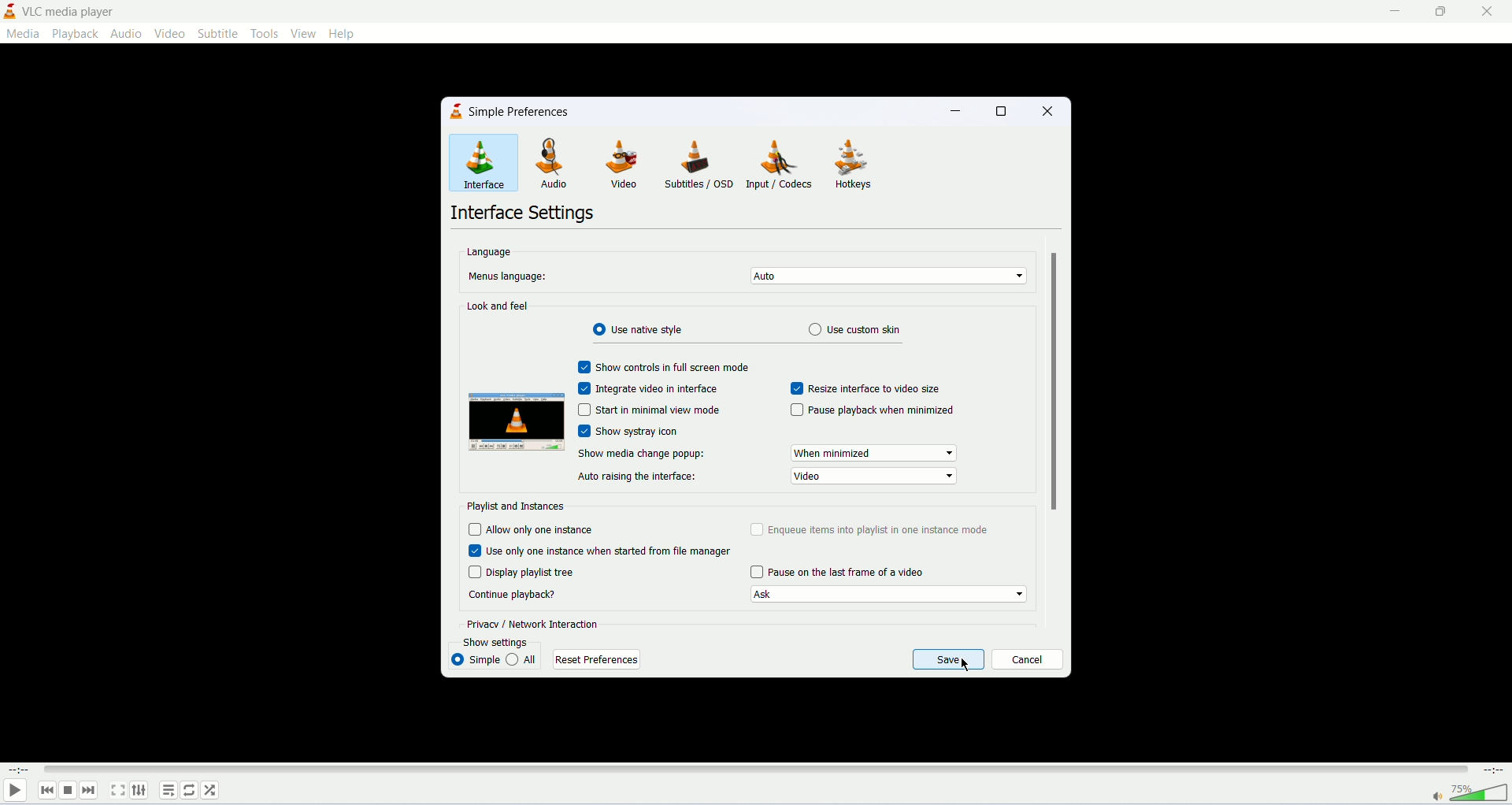 This screenshot has width=1512, height=805. Describe the element at coordinates (952, 112) in the screenshot. I see `minimize` at that location.